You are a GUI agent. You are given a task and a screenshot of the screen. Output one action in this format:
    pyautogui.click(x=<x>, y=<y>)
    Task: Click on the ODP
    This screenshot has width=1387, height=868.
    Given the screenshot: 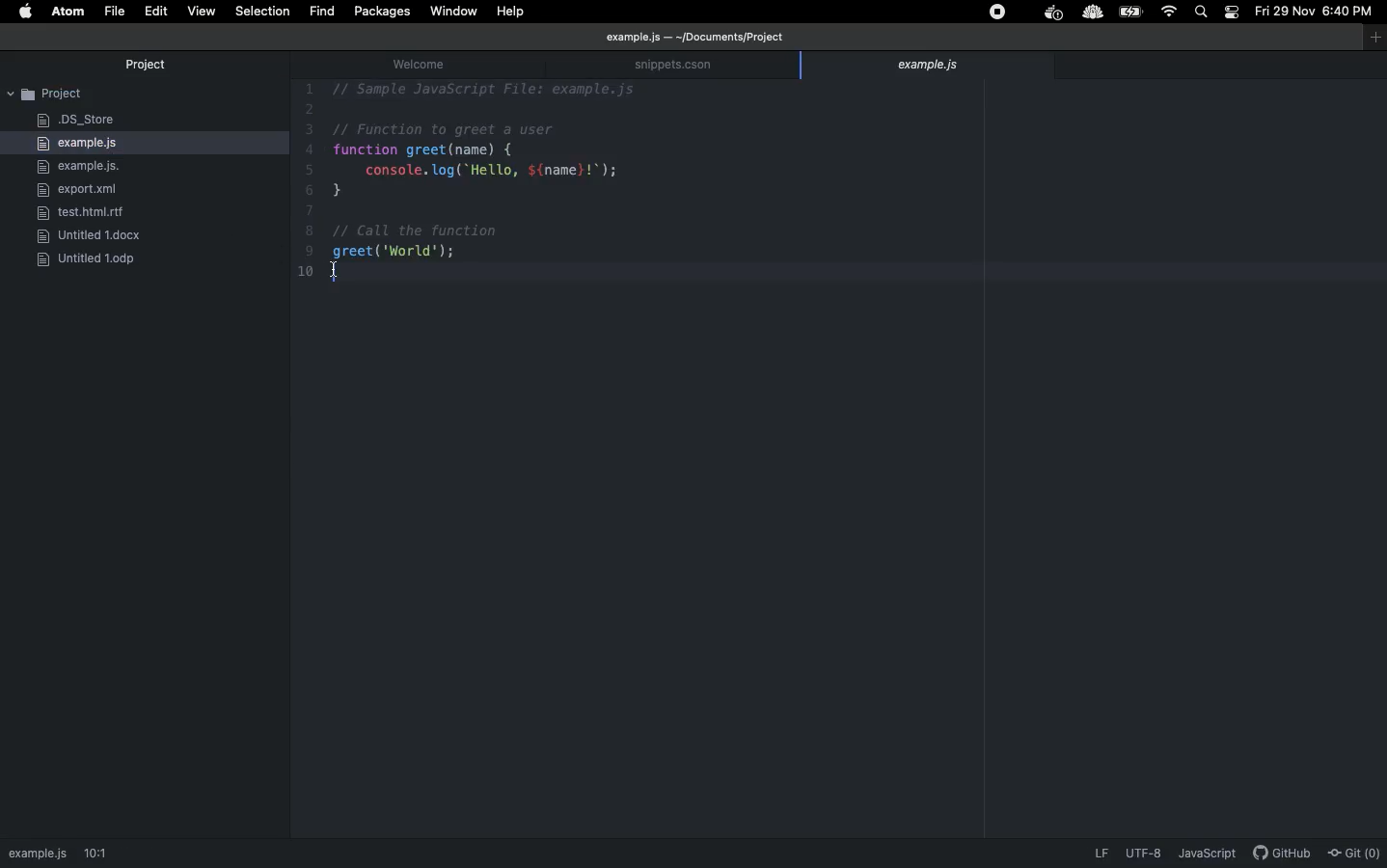 What is the action you would take?
    pyautogui.click(x=95, y=258)
    